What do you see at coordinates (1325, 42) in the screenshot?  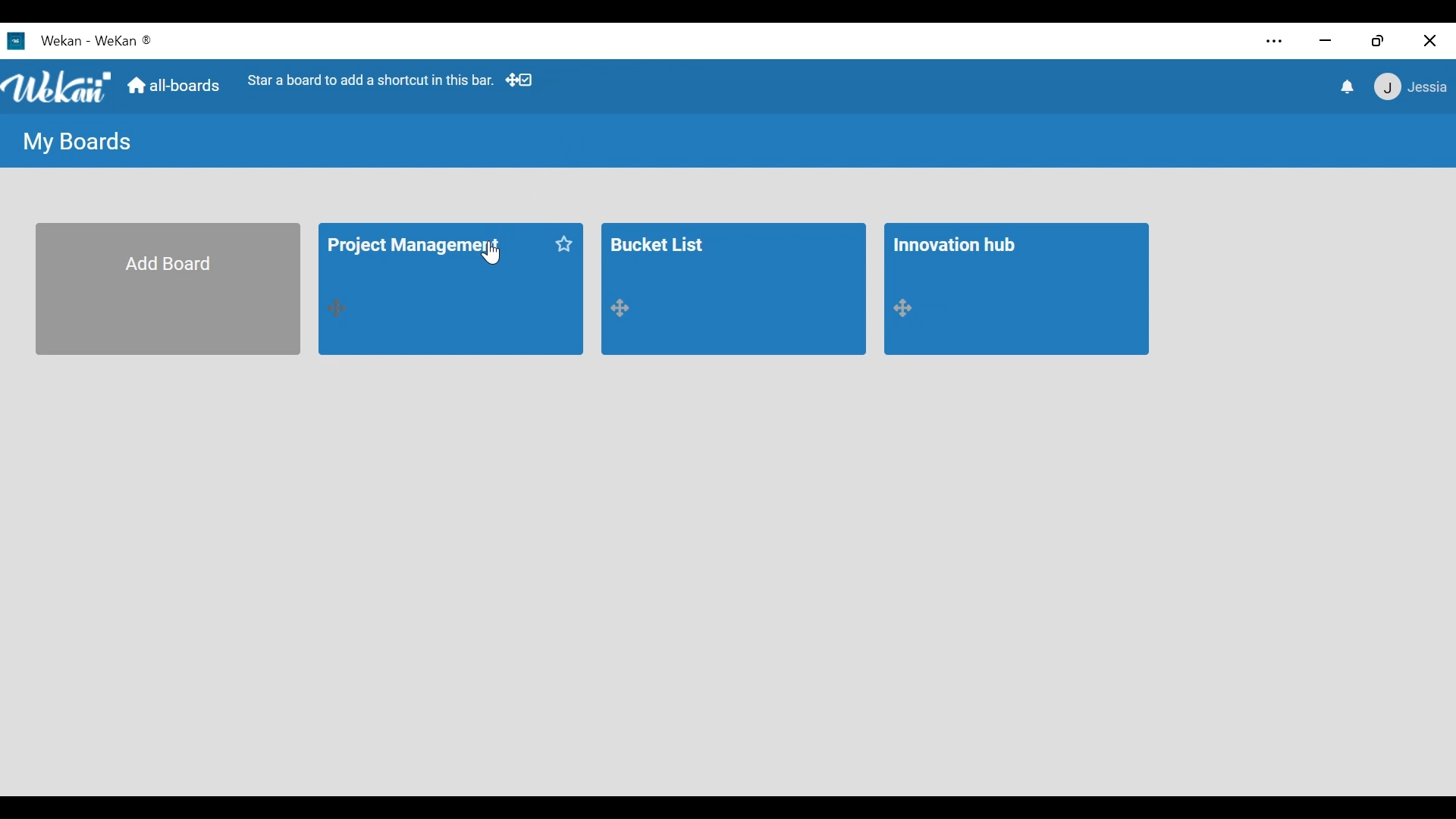 I see `minimize` at bounding box center [1325, 42].